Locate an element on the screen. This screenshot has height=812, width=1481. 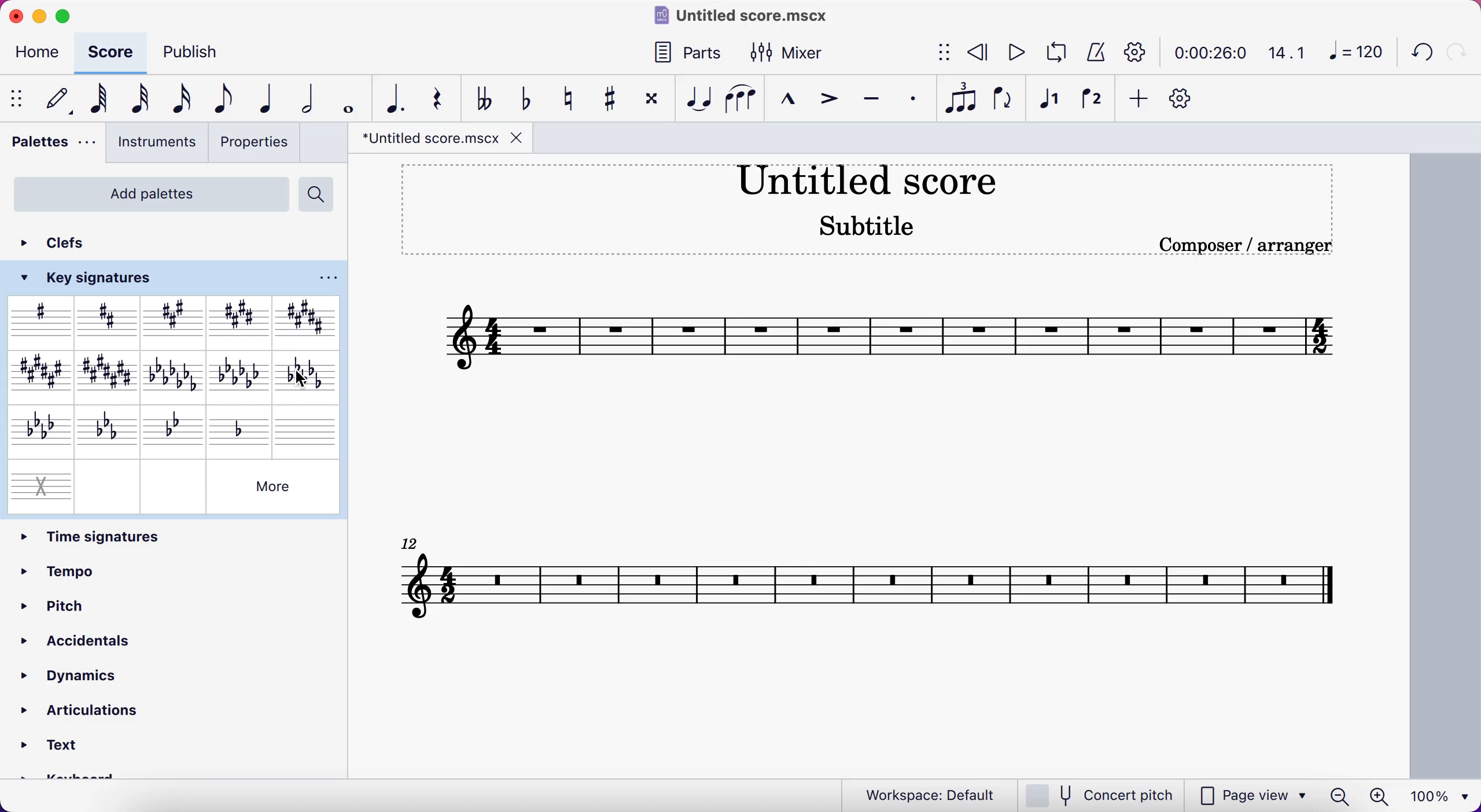
16th note is located at coordinates (182, 100).